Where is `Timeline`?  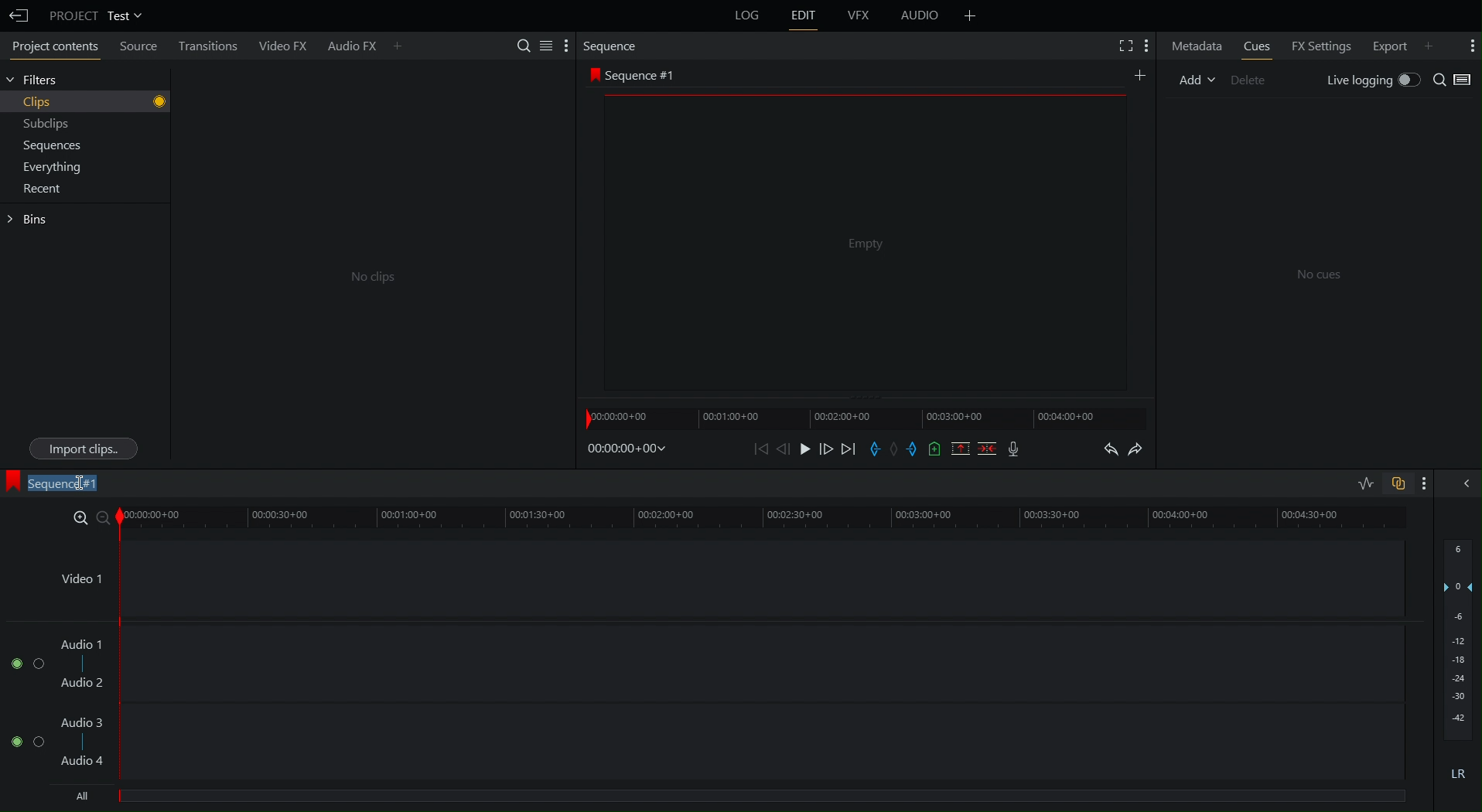
Timeline is located at coordinates (867, 415).